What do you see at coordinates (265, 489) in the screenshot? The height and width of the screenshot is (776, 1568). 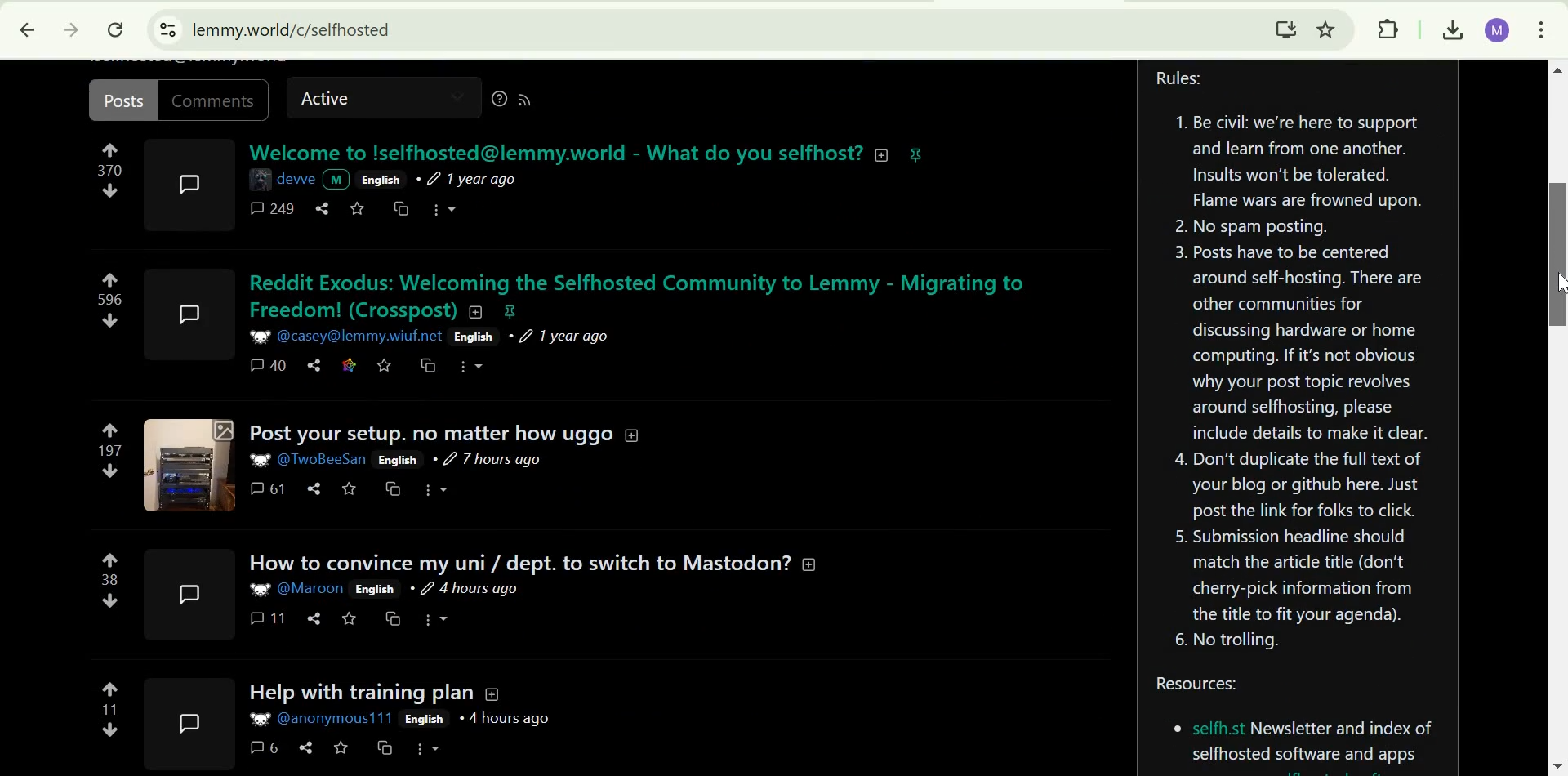 I see `61 comments` at bounding box center [265, 489].